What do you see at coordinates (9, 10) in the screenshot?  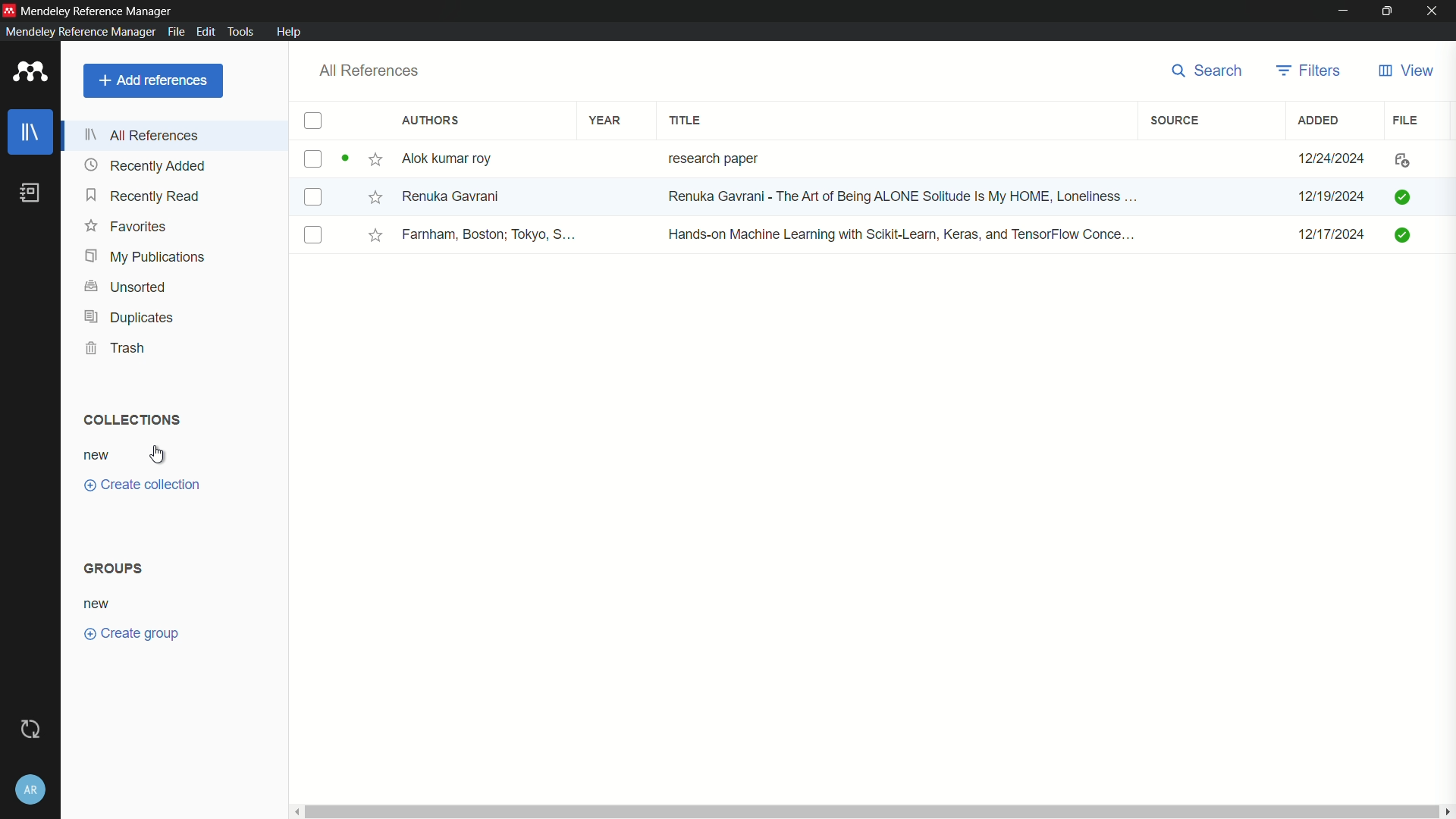 I see `app icon` at bounding box center [9, 10].